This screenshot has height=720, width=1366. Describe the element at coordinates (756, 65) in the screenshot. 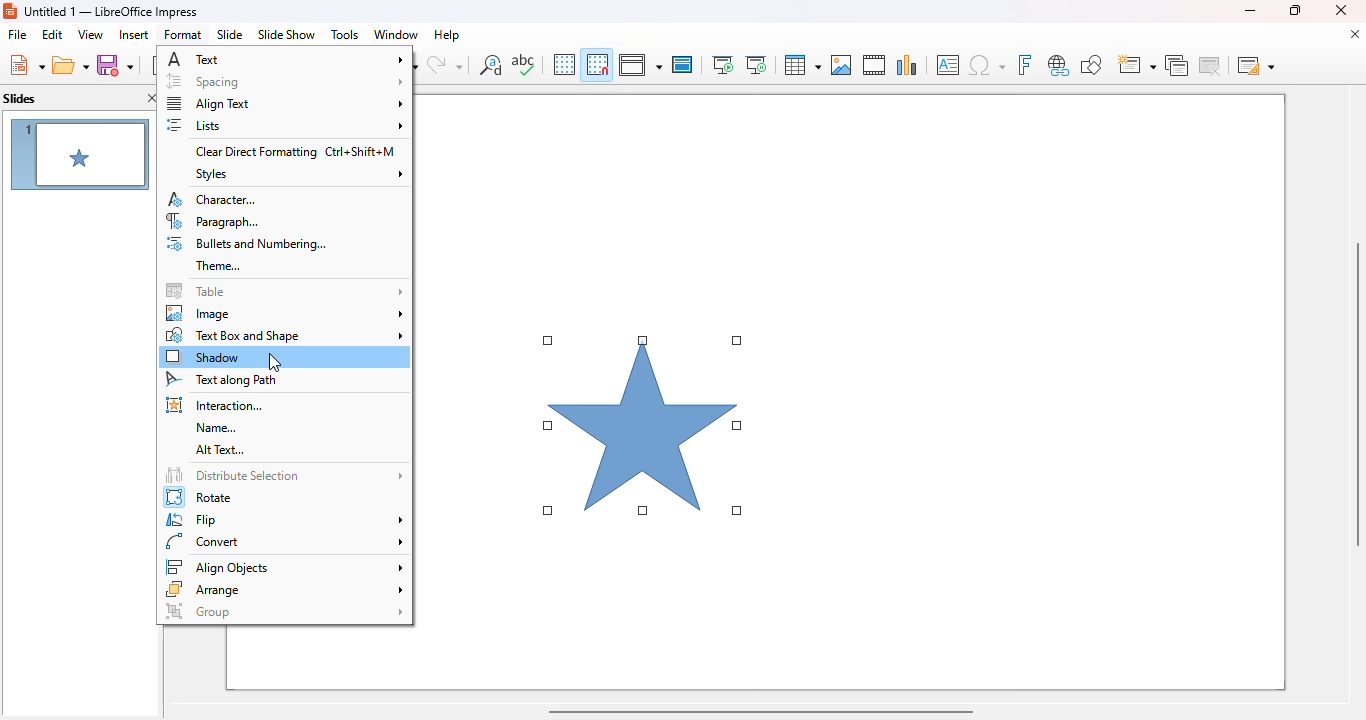

I see `start from current slide` at that location.